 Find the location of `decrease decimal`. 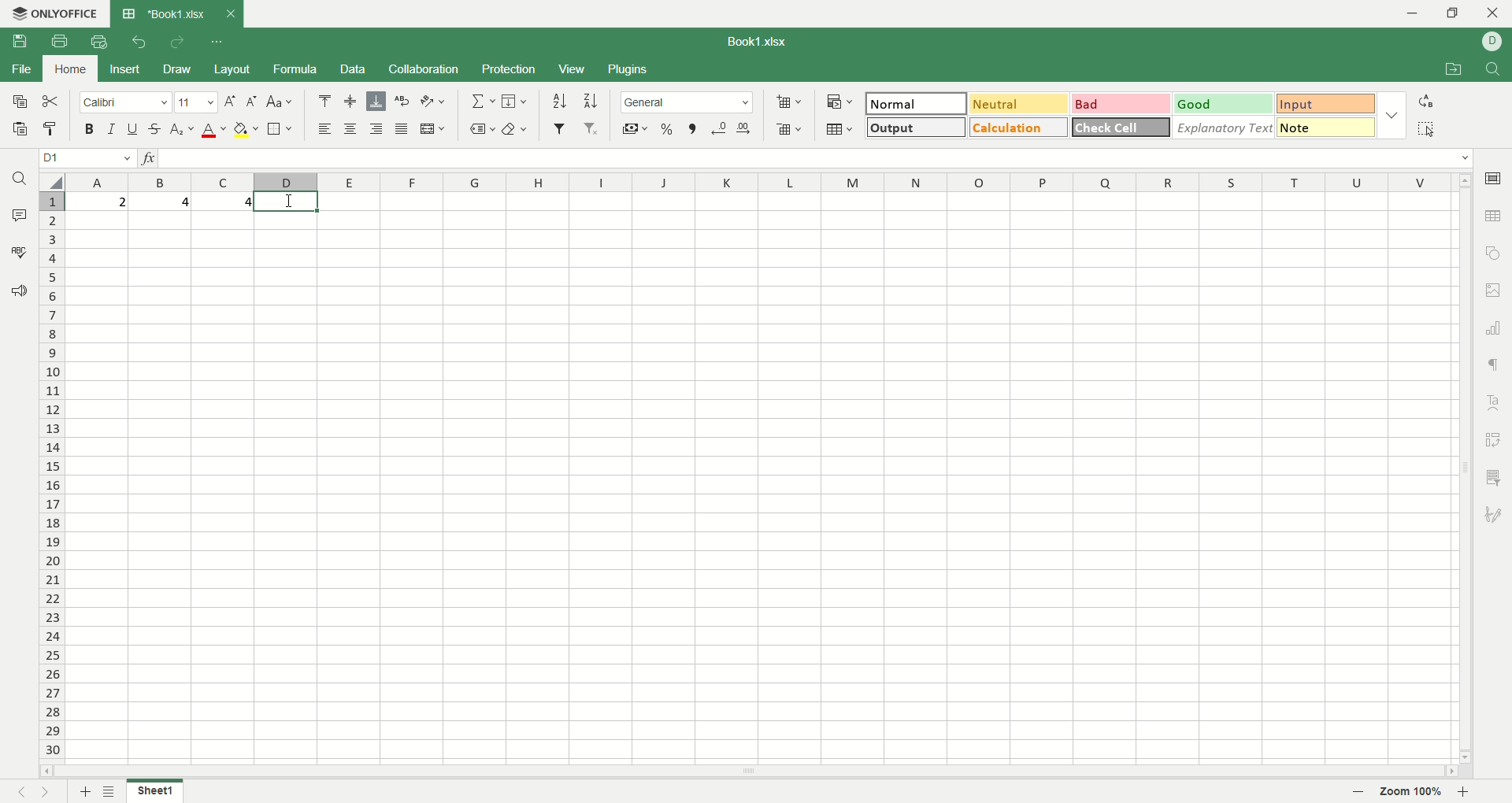

decrease decimal is located at coordinates (720, 128).